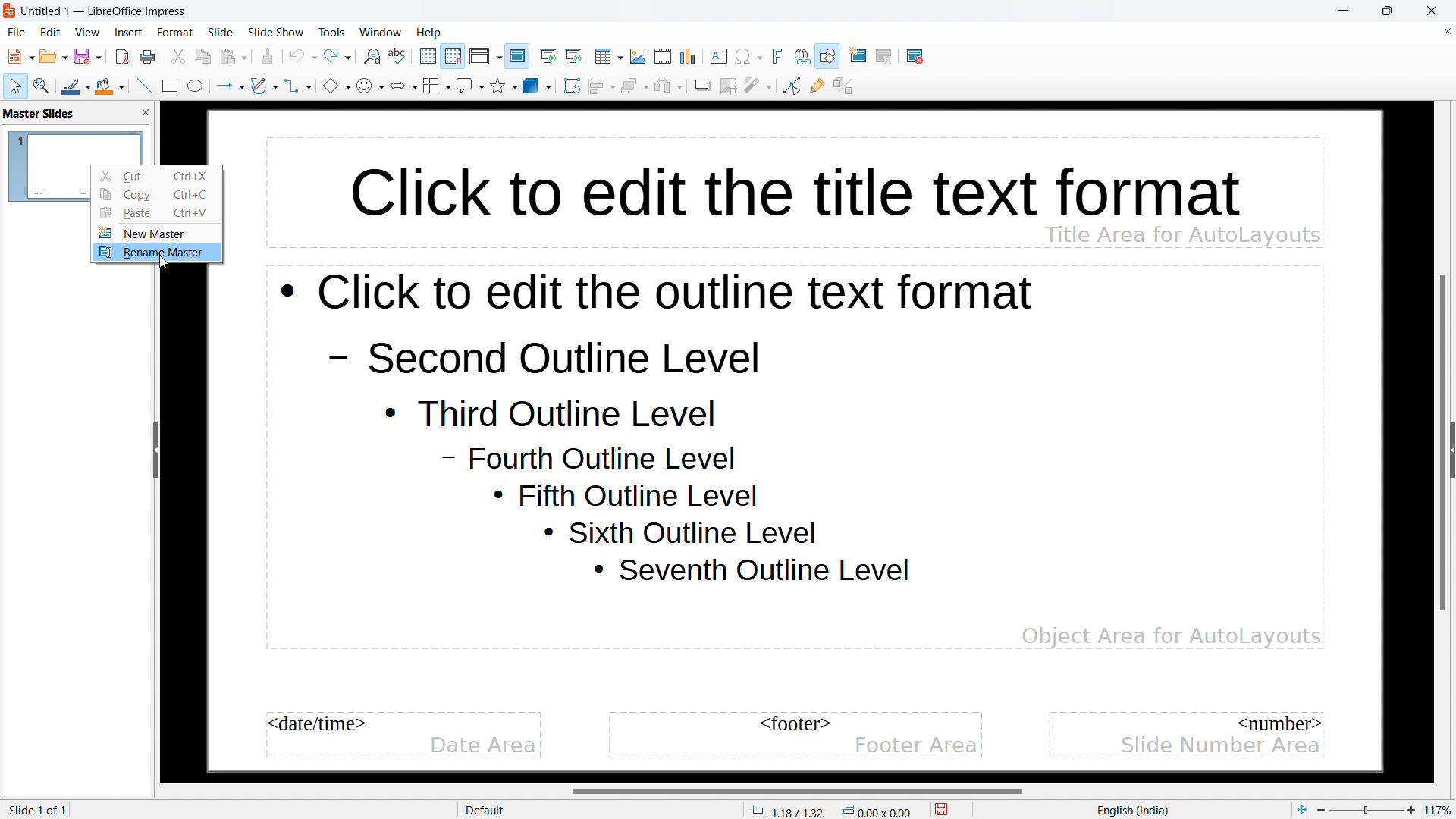  I want to click on slide show, so click(276, 32).